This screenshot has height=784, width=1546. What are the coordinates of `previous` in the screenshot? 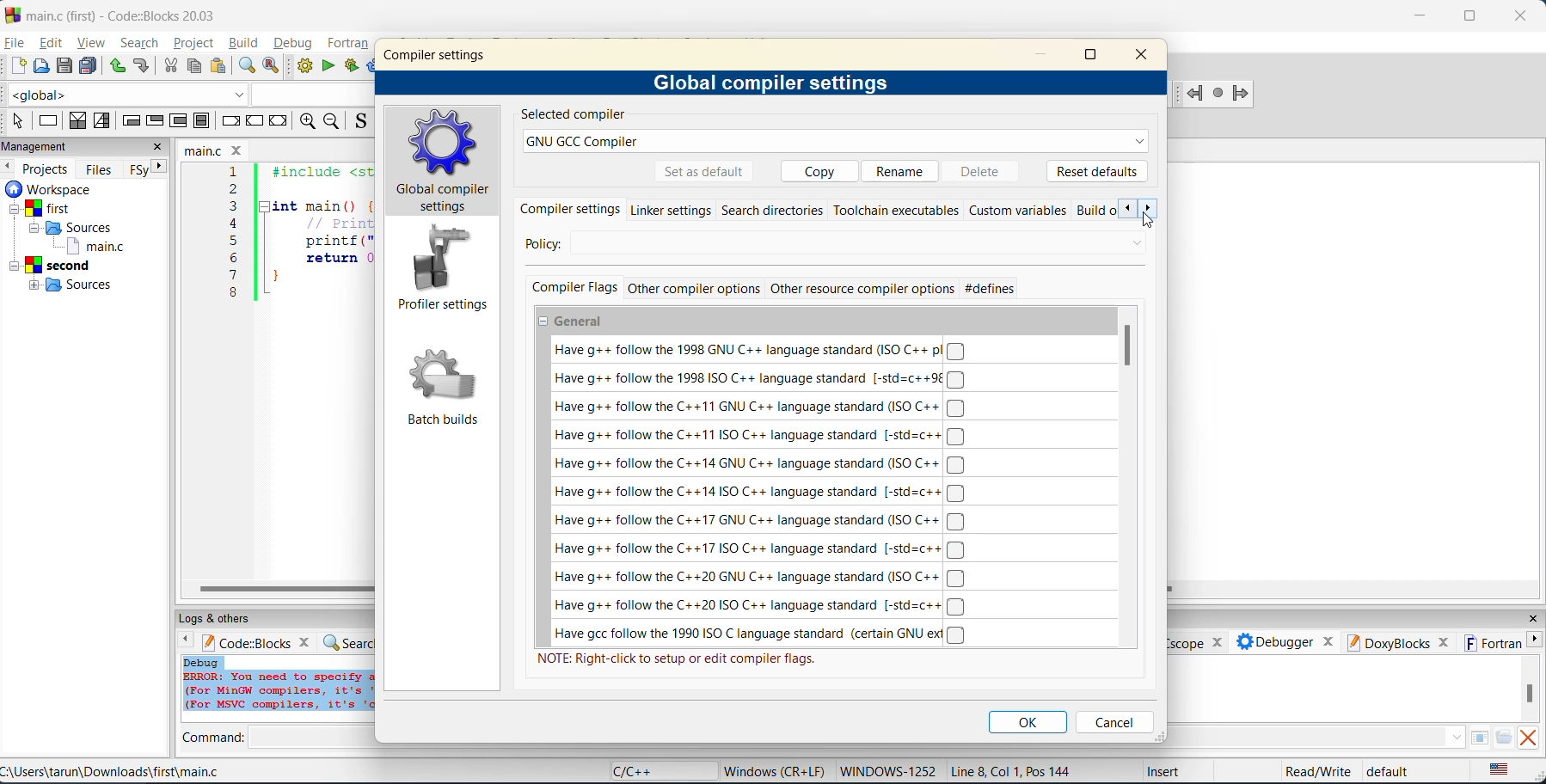 It's located at (9, 167).